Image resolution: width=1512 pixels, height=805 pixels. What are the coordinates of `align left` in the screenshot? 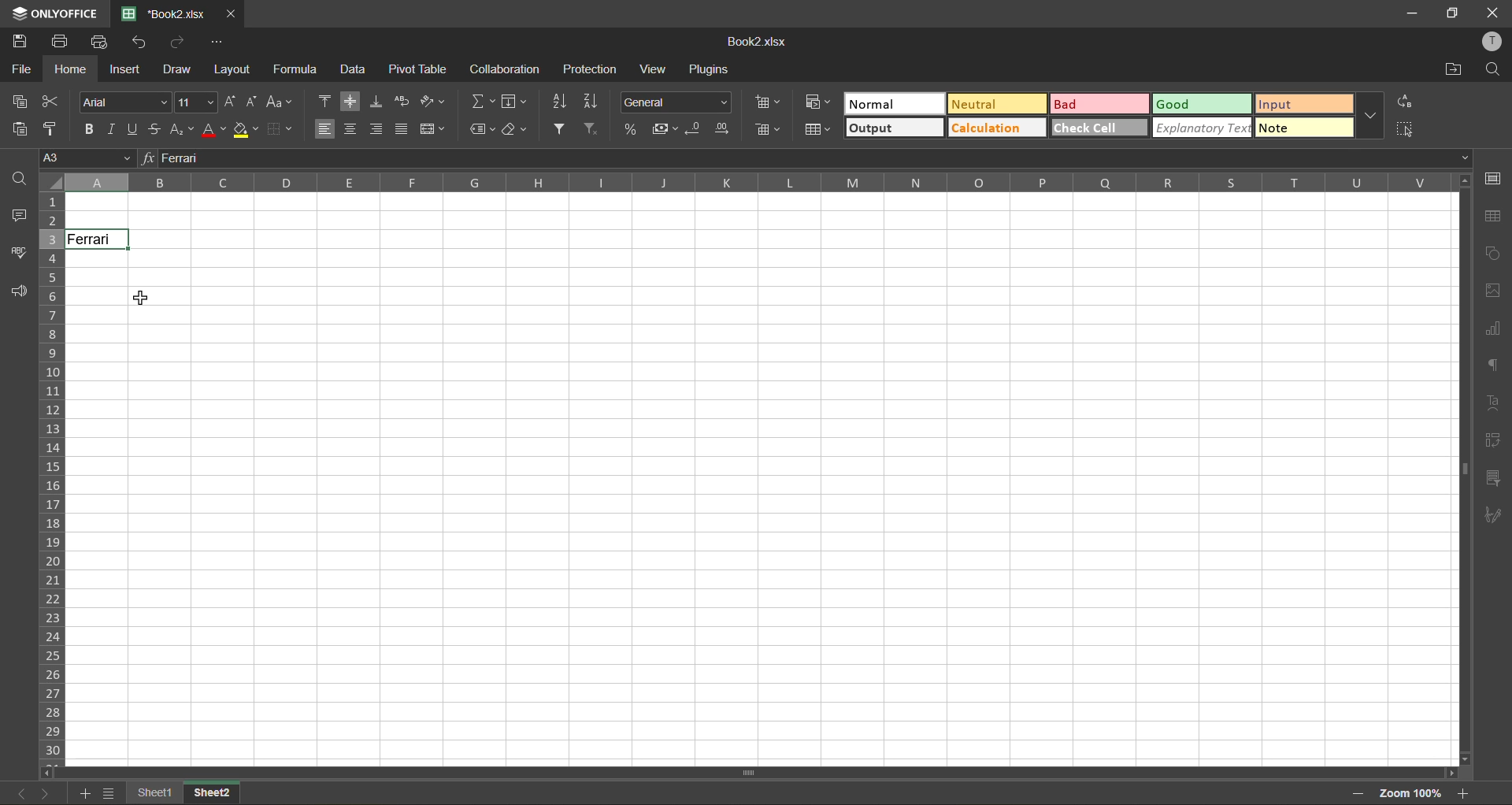 It's located at (325, 128).